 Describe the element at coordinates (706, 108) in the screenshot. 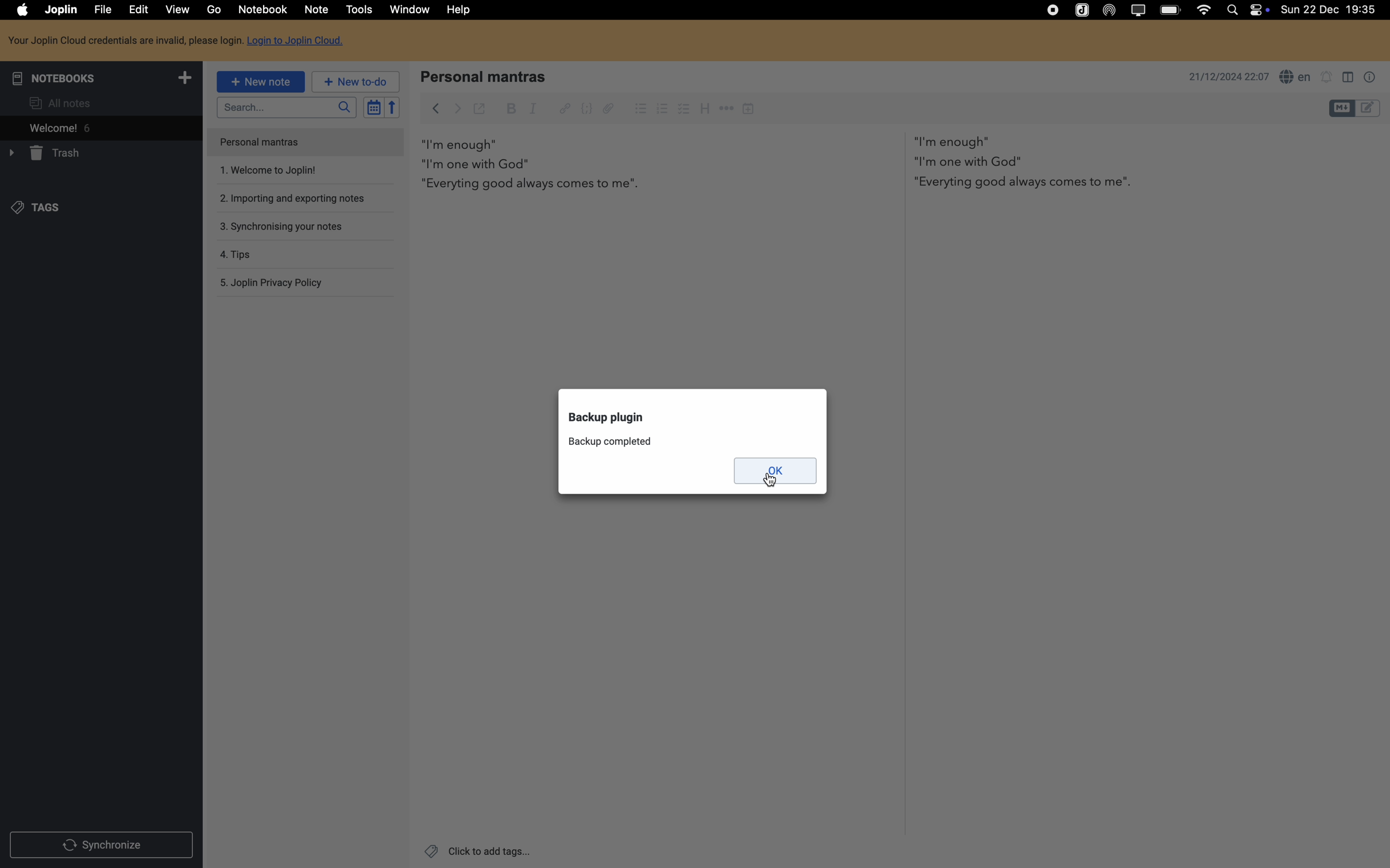

I see `heading` at that location.